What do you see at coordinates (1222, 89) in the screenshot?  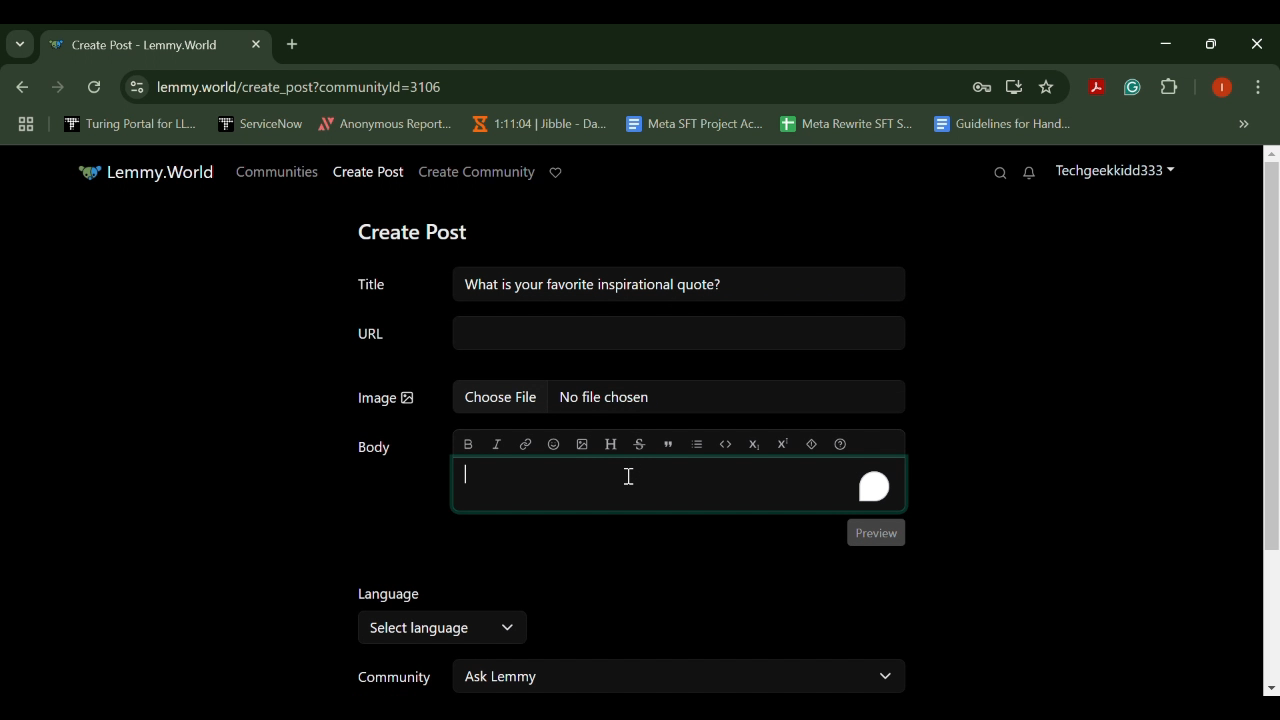 I see `Browser Profile ` at bounding box center [1222, 89].